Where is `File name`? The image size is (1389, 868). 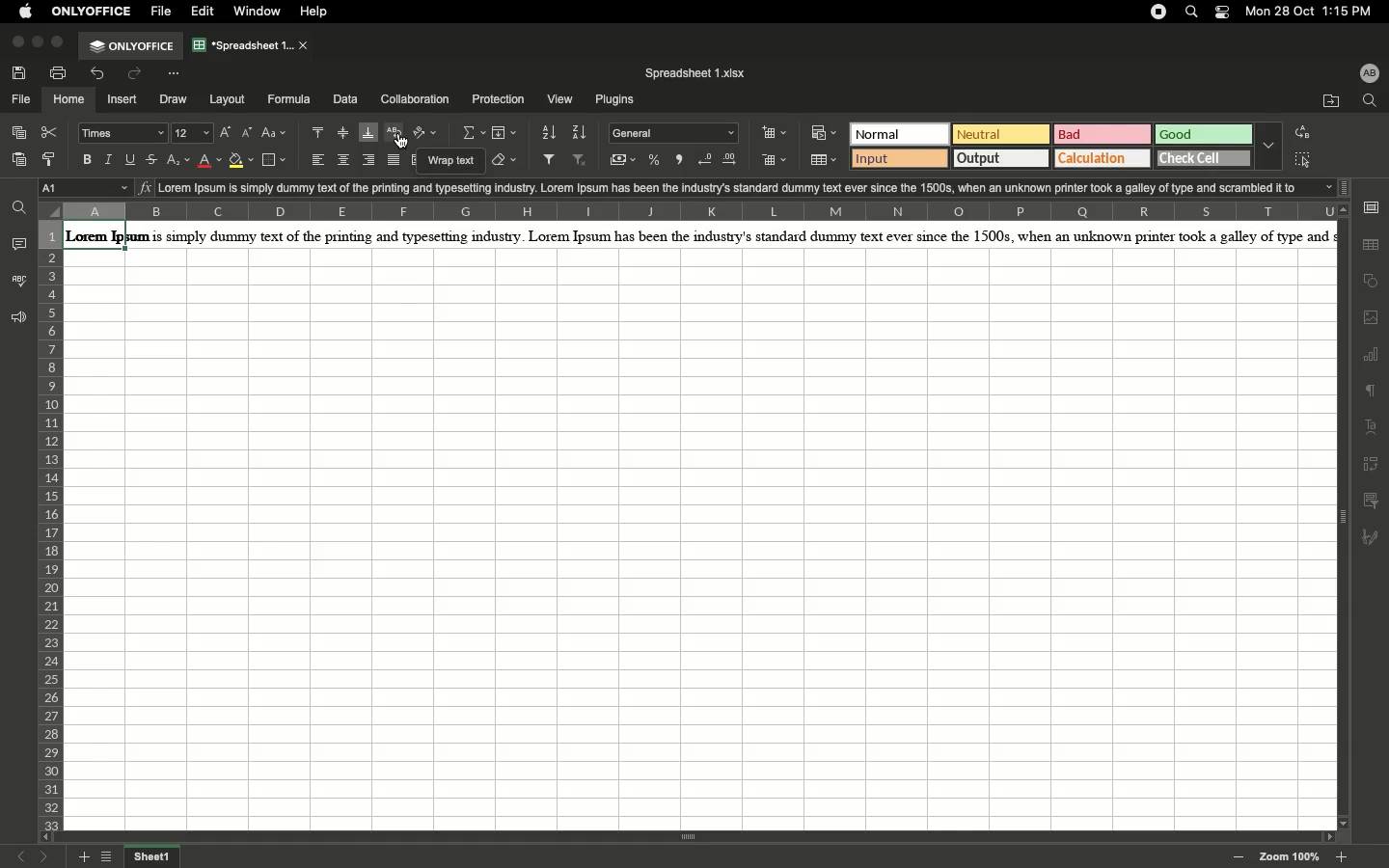 File name is located at coordinates (698, 73).